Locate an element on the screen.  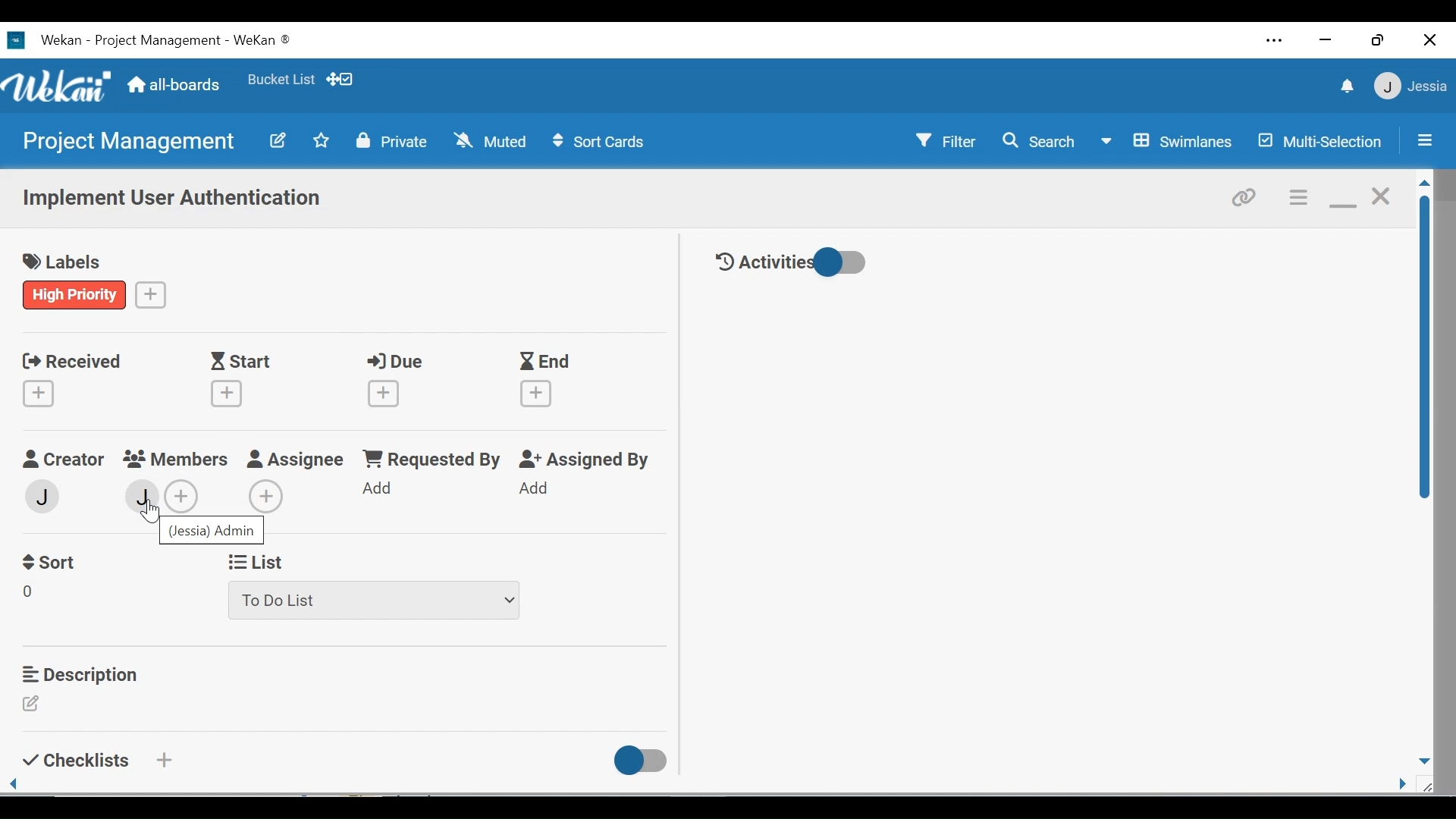
edit is located at coordinates (277, 140).